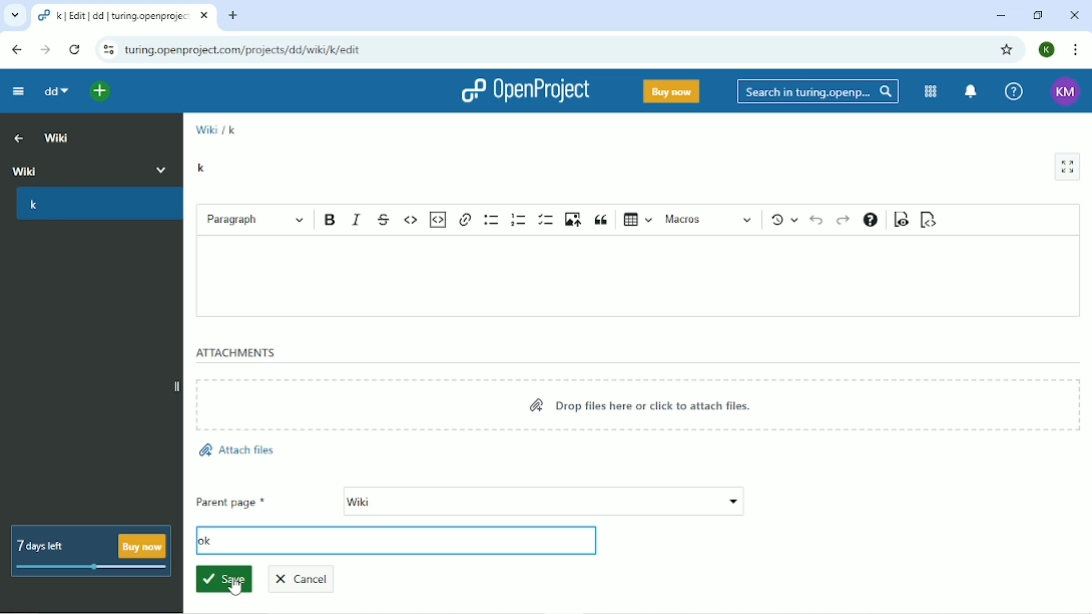 This screenshot has height=614, width=1092. What do you see at coordinates (97, 90) in the screenshot?
I see `Open quick add menu` at bounding box center [97, 90].